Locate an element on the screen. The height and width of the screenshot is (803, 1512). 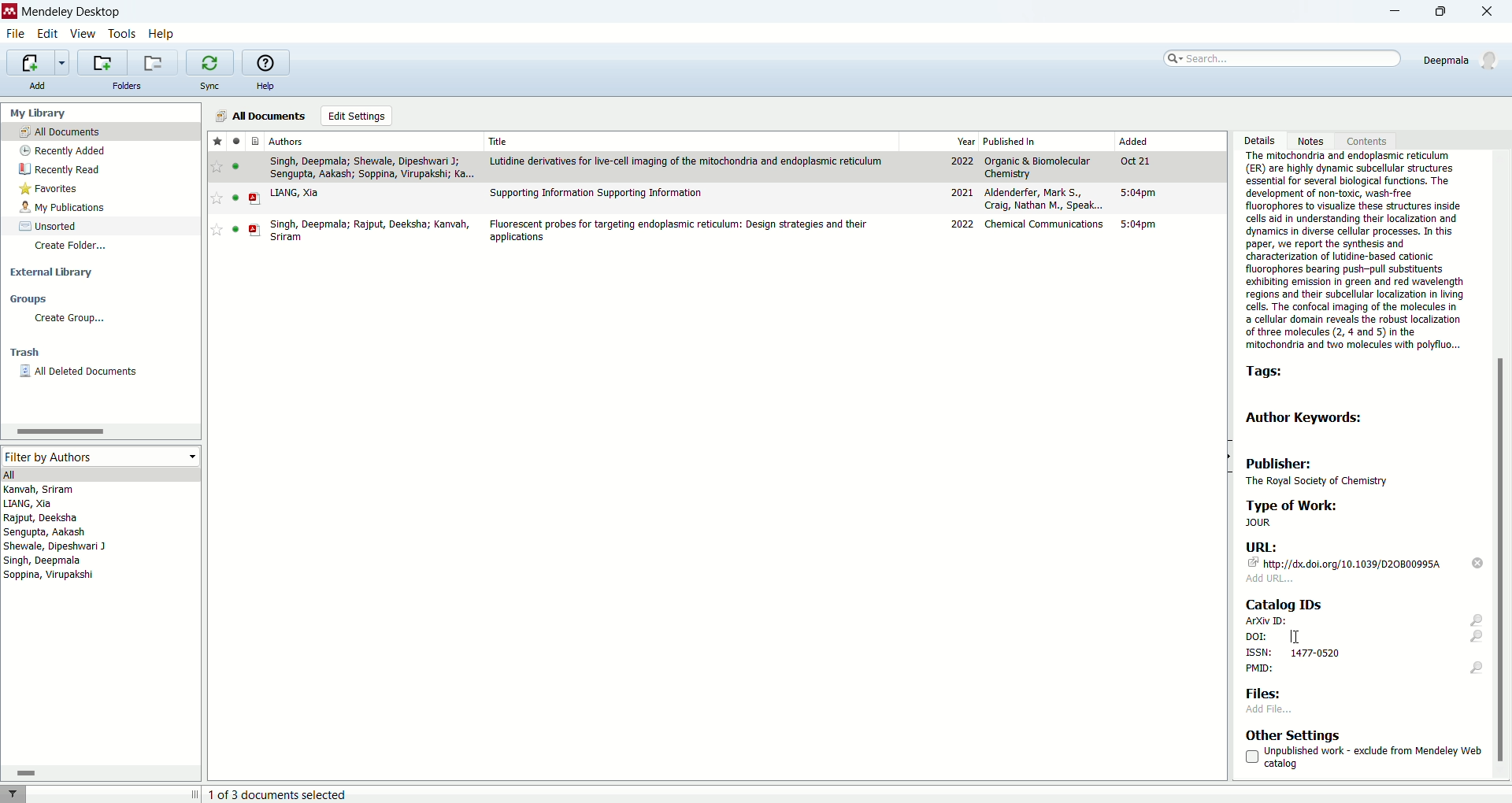
kanvah, sriram is located at coordinates (40, 490).